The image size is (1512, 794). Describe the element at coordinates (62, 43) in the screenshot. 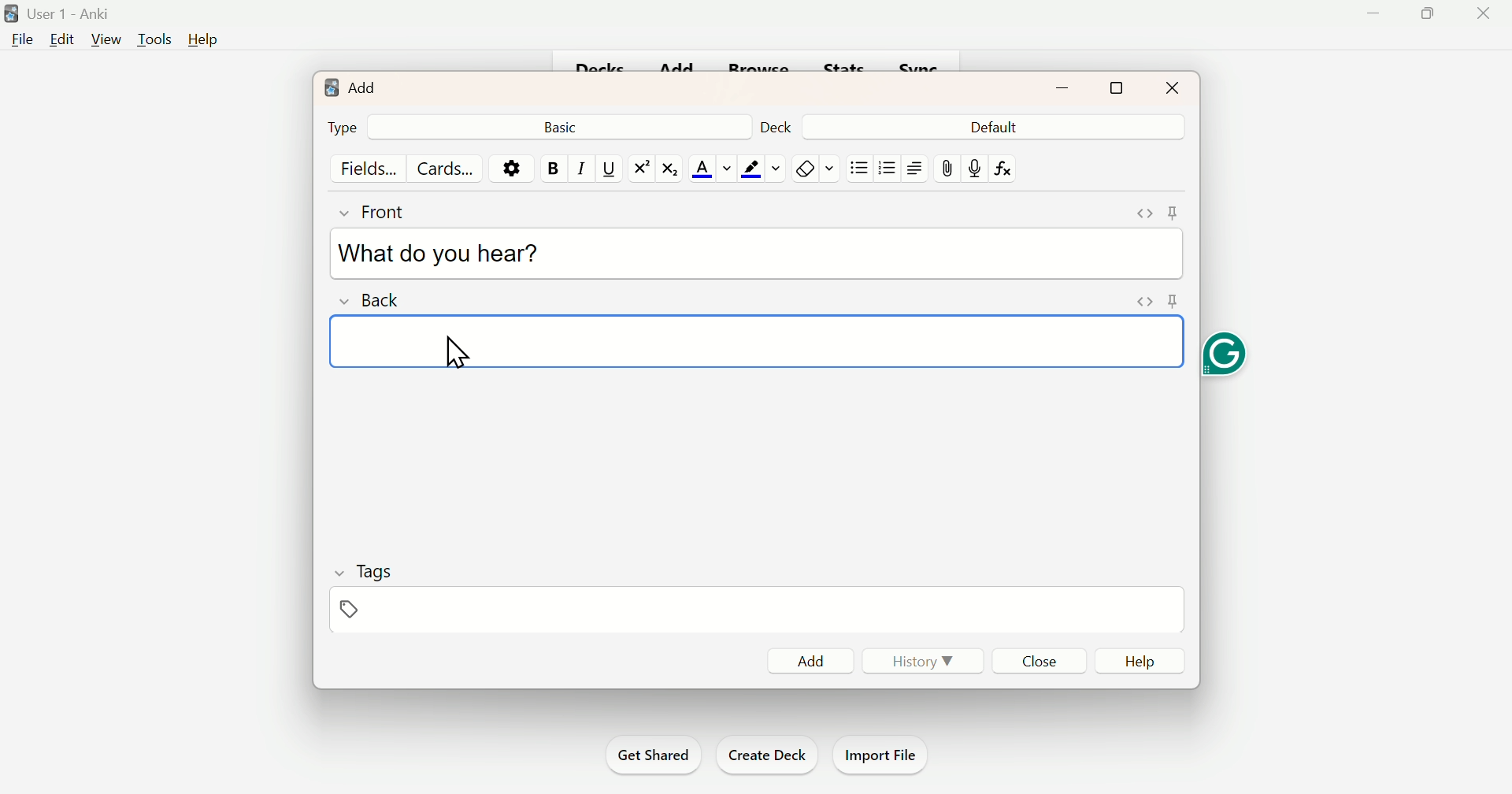

I see `Edit` at that location.